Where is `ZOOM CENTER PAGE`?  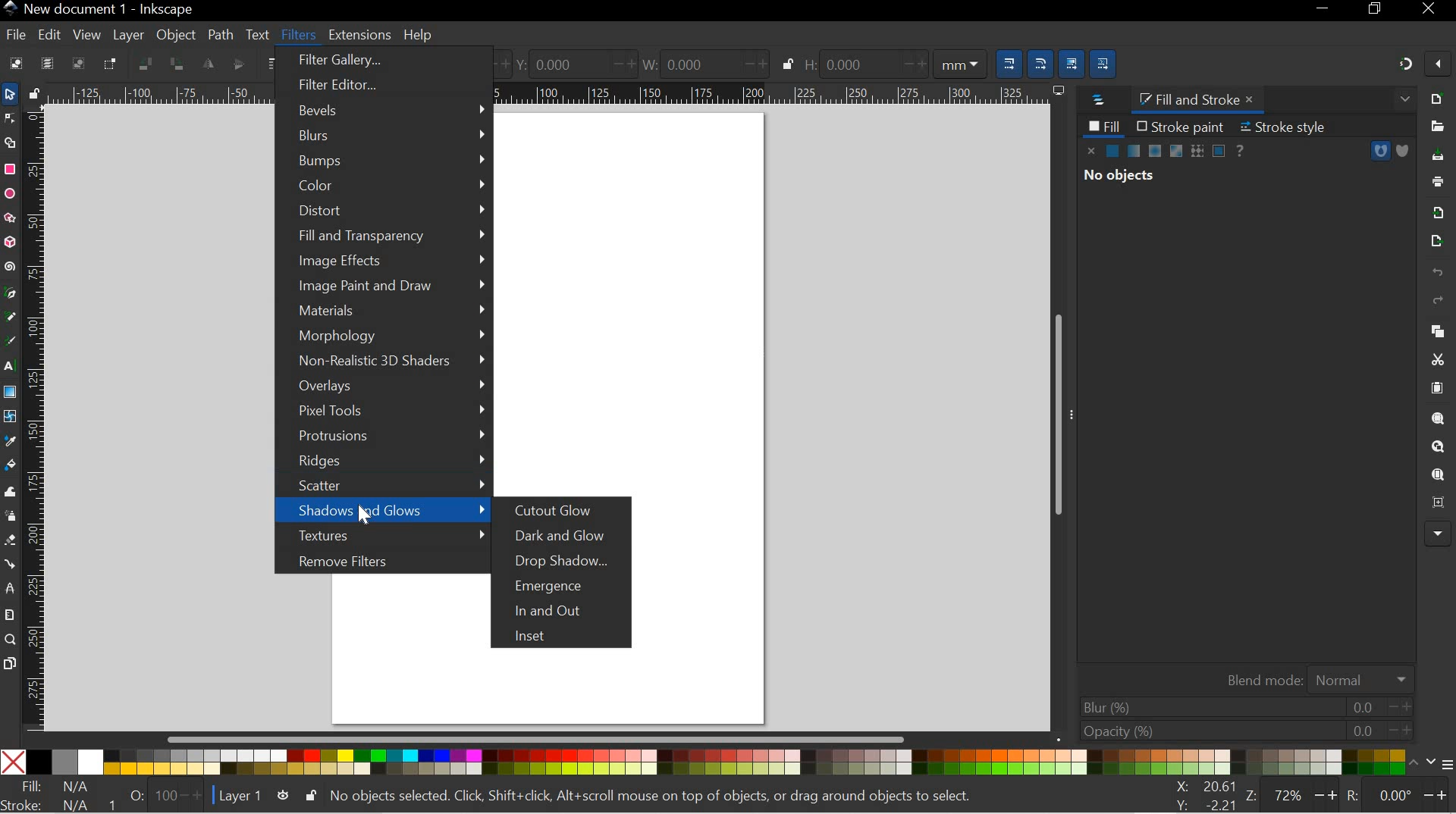 ZOOM CENTER PAGE is located at coordinates (1435, 503).